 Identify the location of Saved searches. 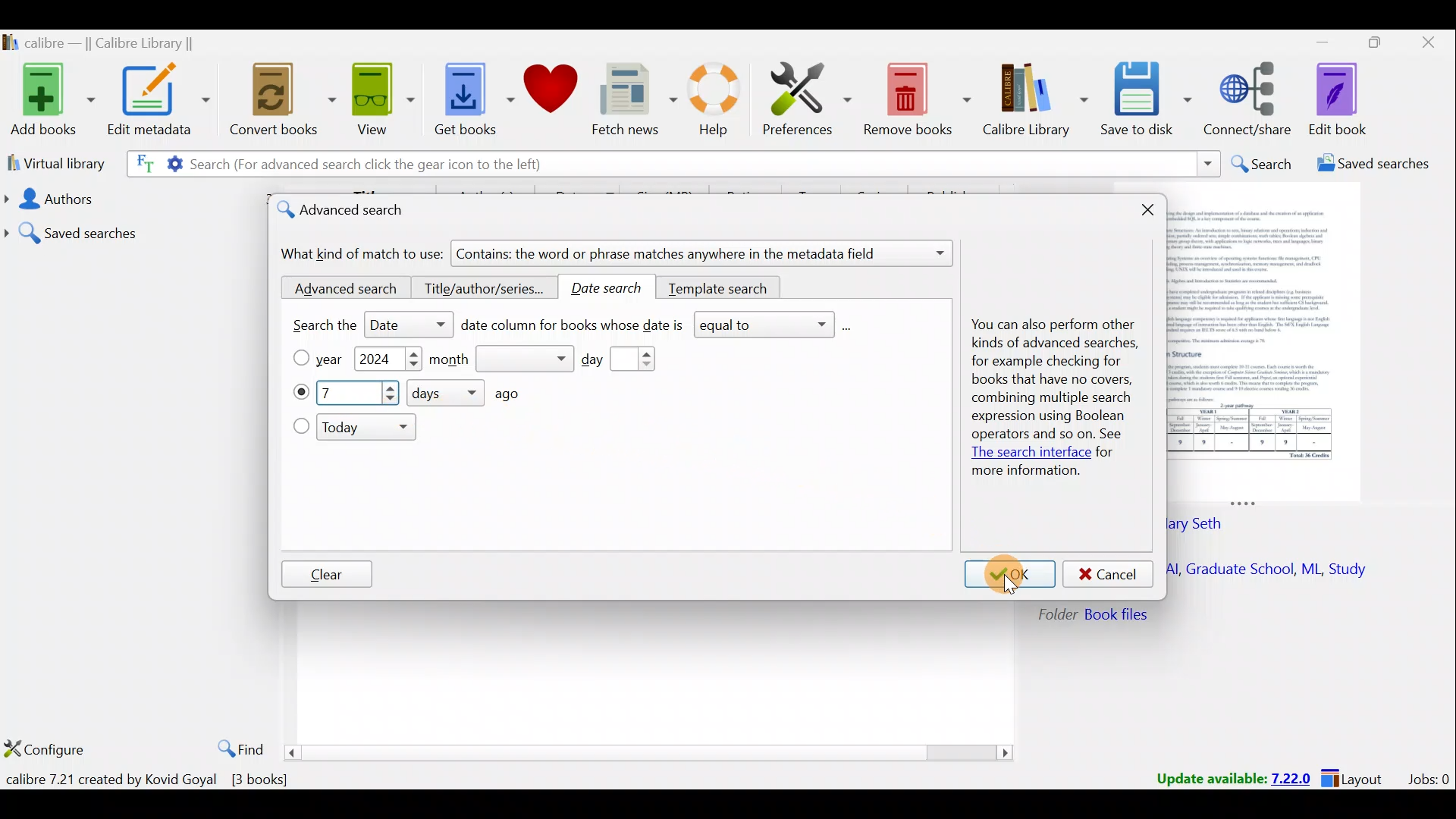
(133, 227).